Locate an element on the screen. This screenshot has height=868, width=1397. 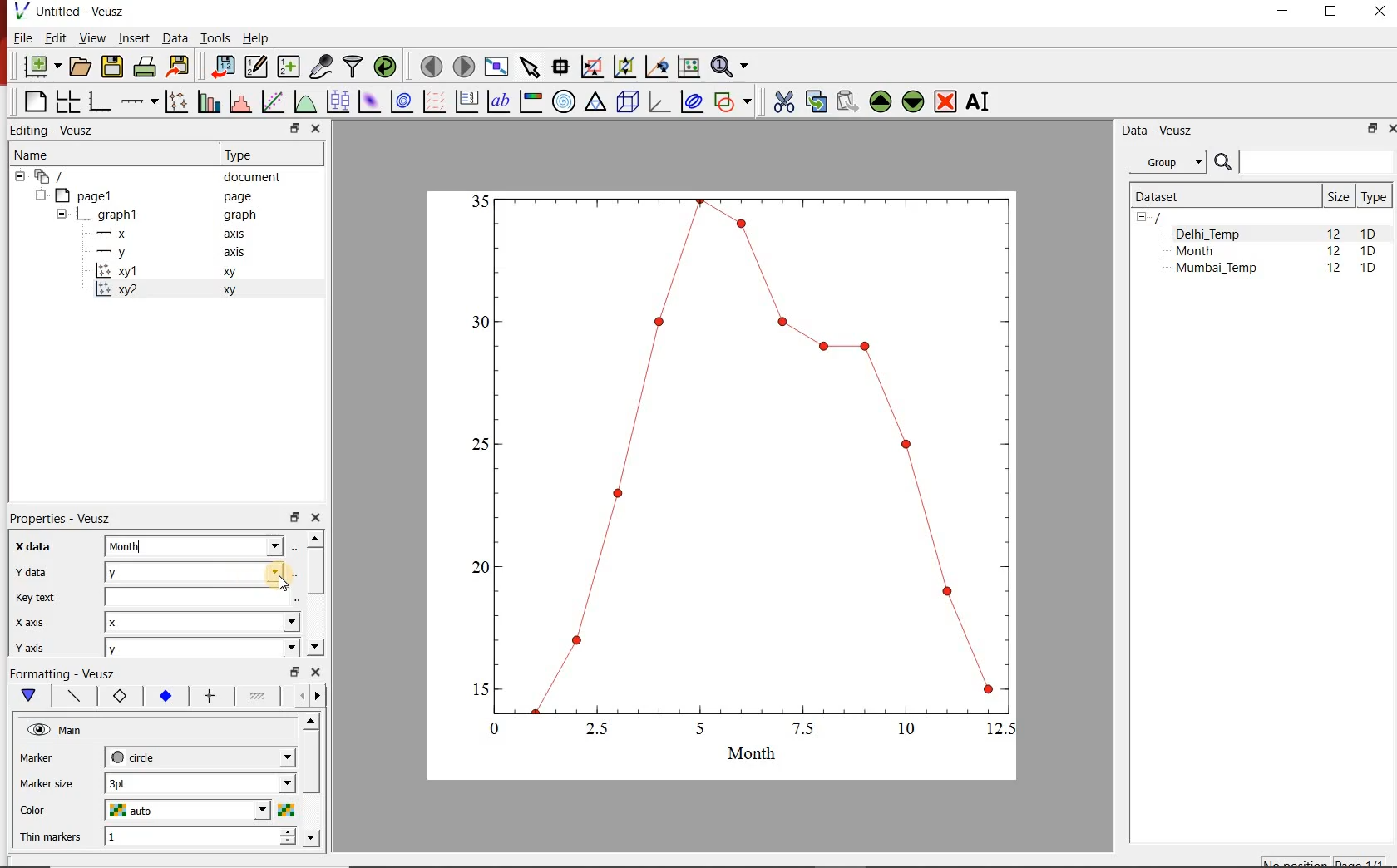
Delhi_Temp is located at coordinates (1211, 234).